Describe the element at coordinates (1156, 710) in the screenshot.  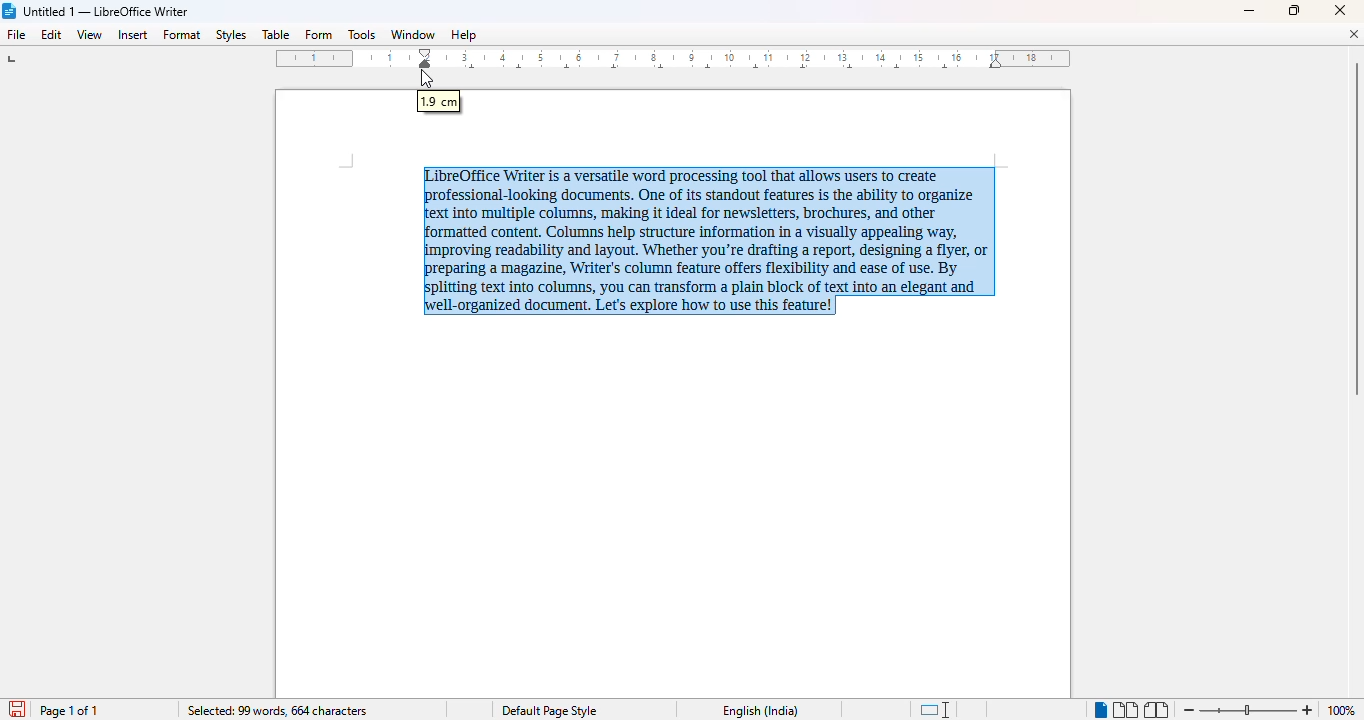
I see `book view` at that location.